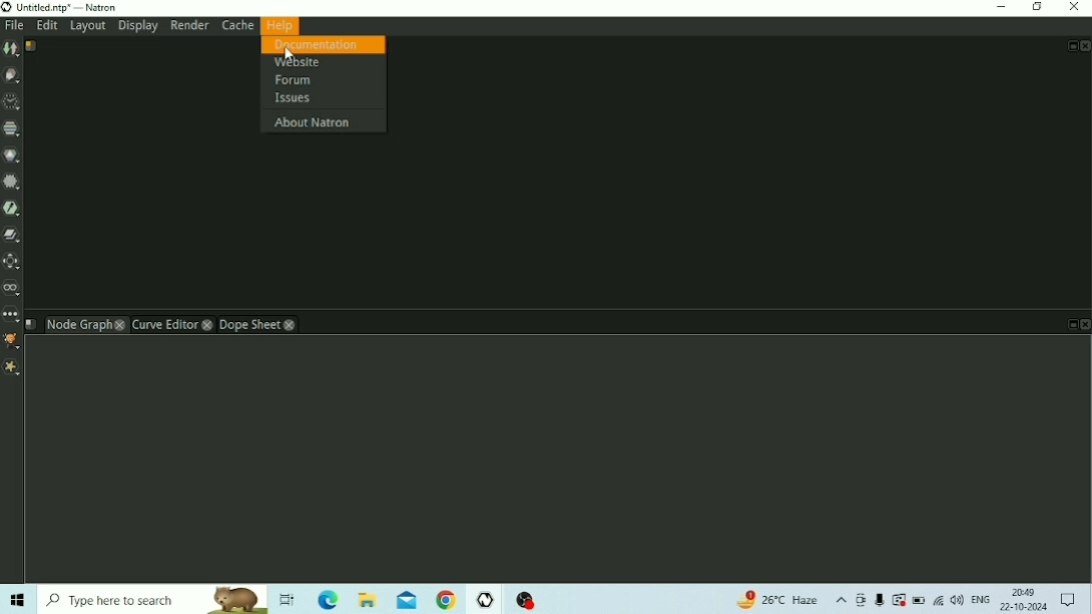  I want to click on Float Pane, so click(1069, 46).